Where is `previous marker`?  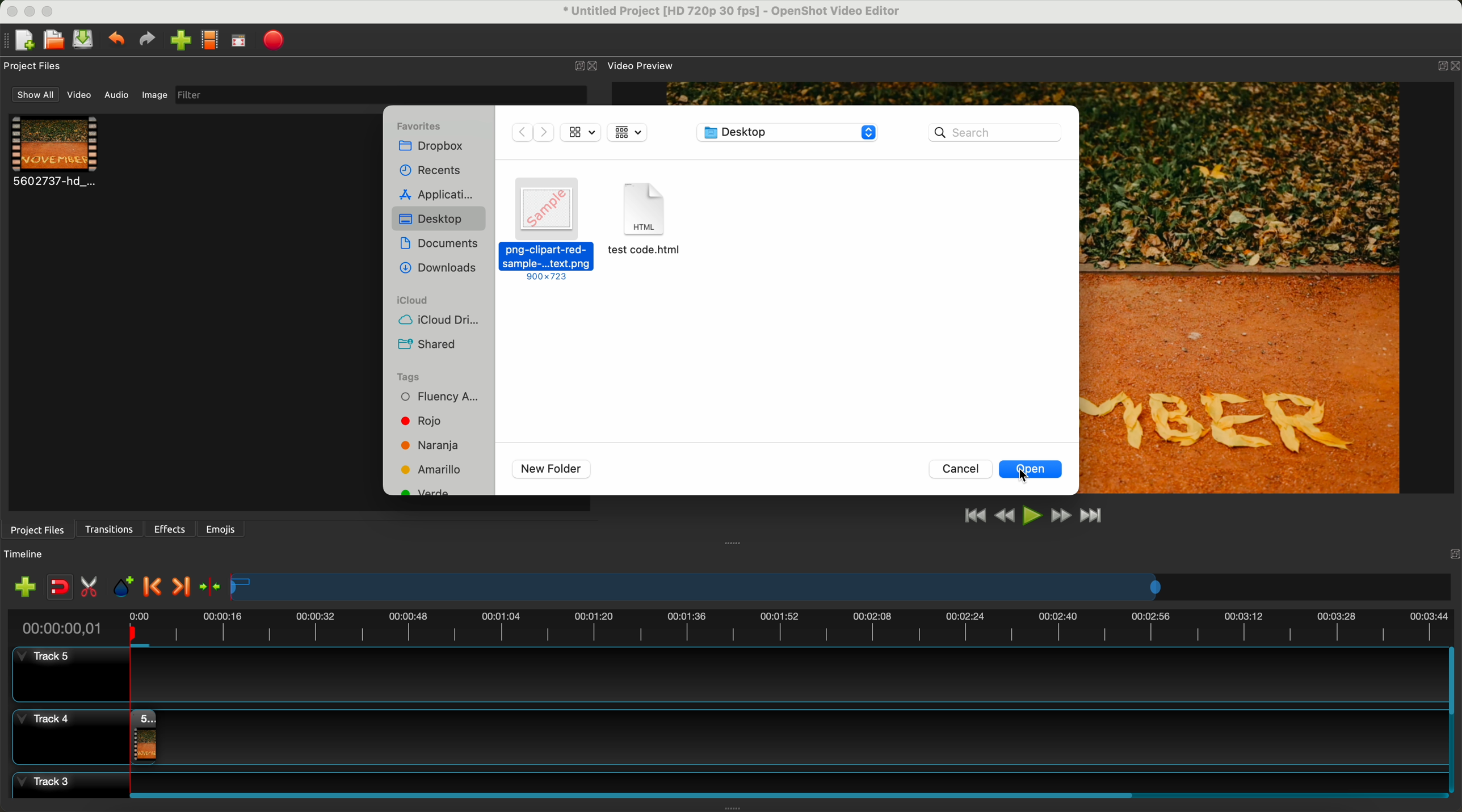
previous marker is located at coordinates (156, 587).